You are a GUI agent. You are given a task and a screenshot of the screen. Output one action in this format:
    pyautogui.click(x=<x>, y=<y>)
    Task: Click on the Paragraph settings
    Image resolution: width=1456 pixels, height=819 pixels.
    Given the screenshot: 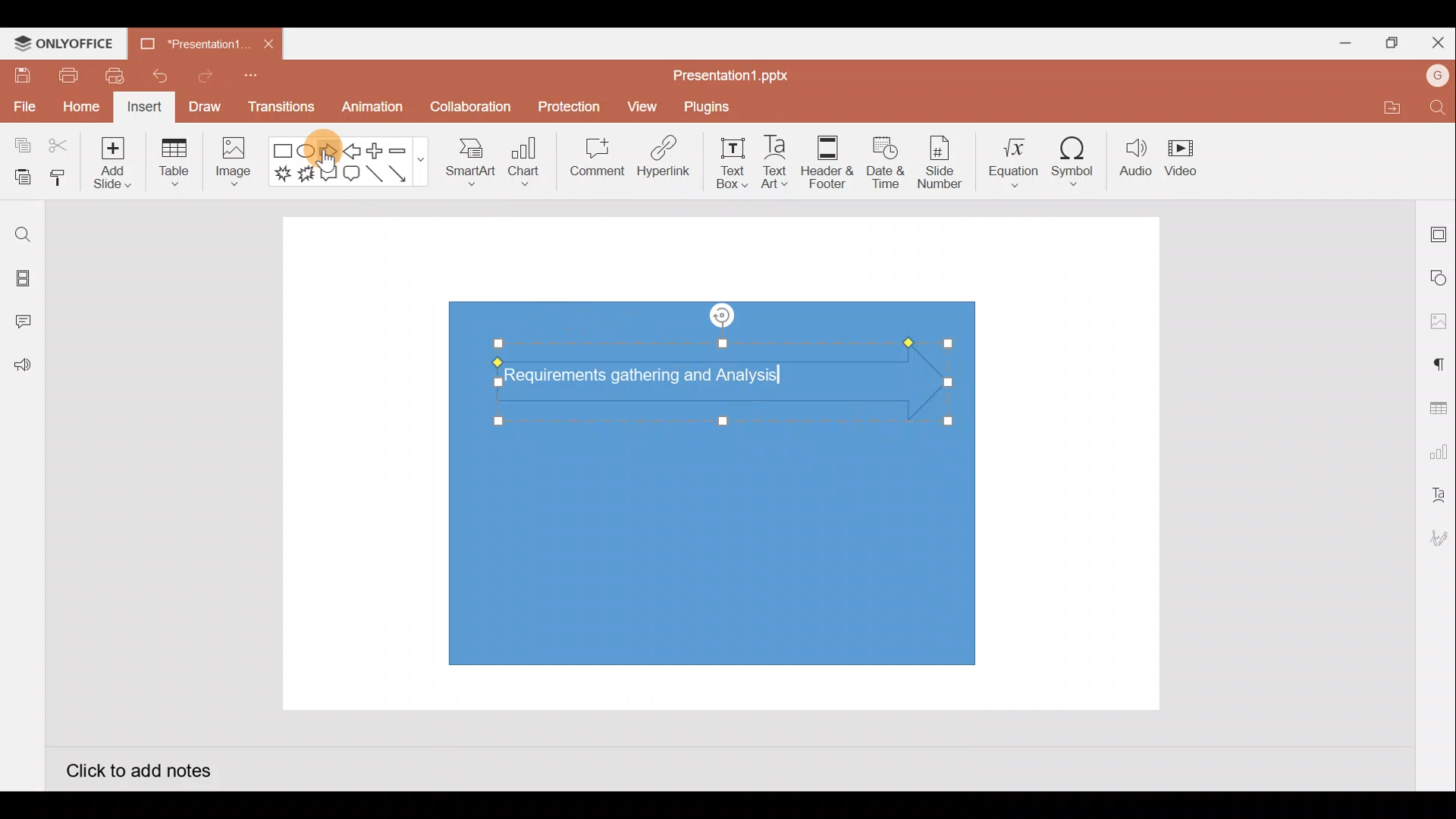 What is the action you would take?
    pyautogui.click(x=1438, y=362)
    